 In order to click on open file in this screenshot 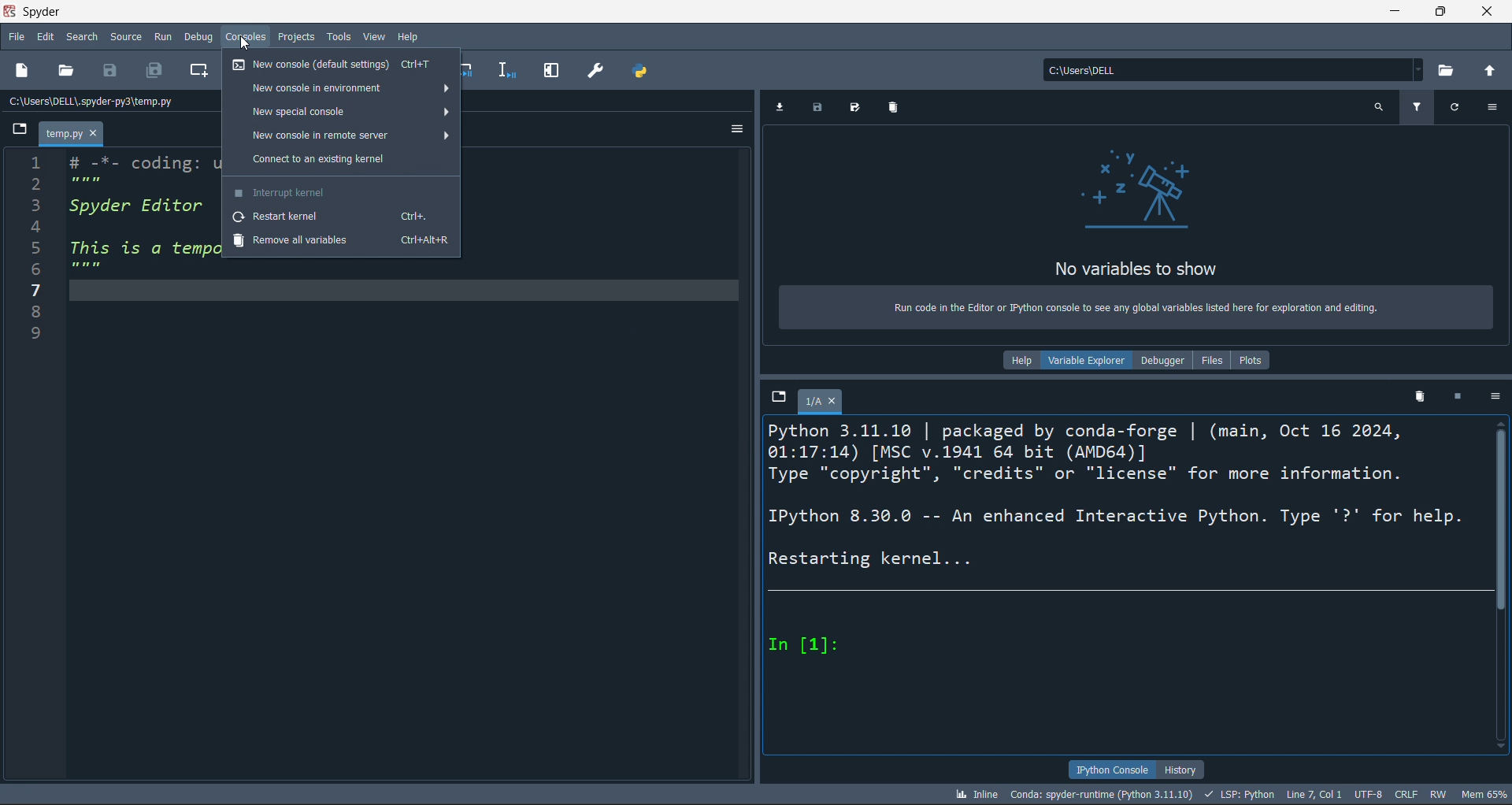, I will do `click(70, 72)`.